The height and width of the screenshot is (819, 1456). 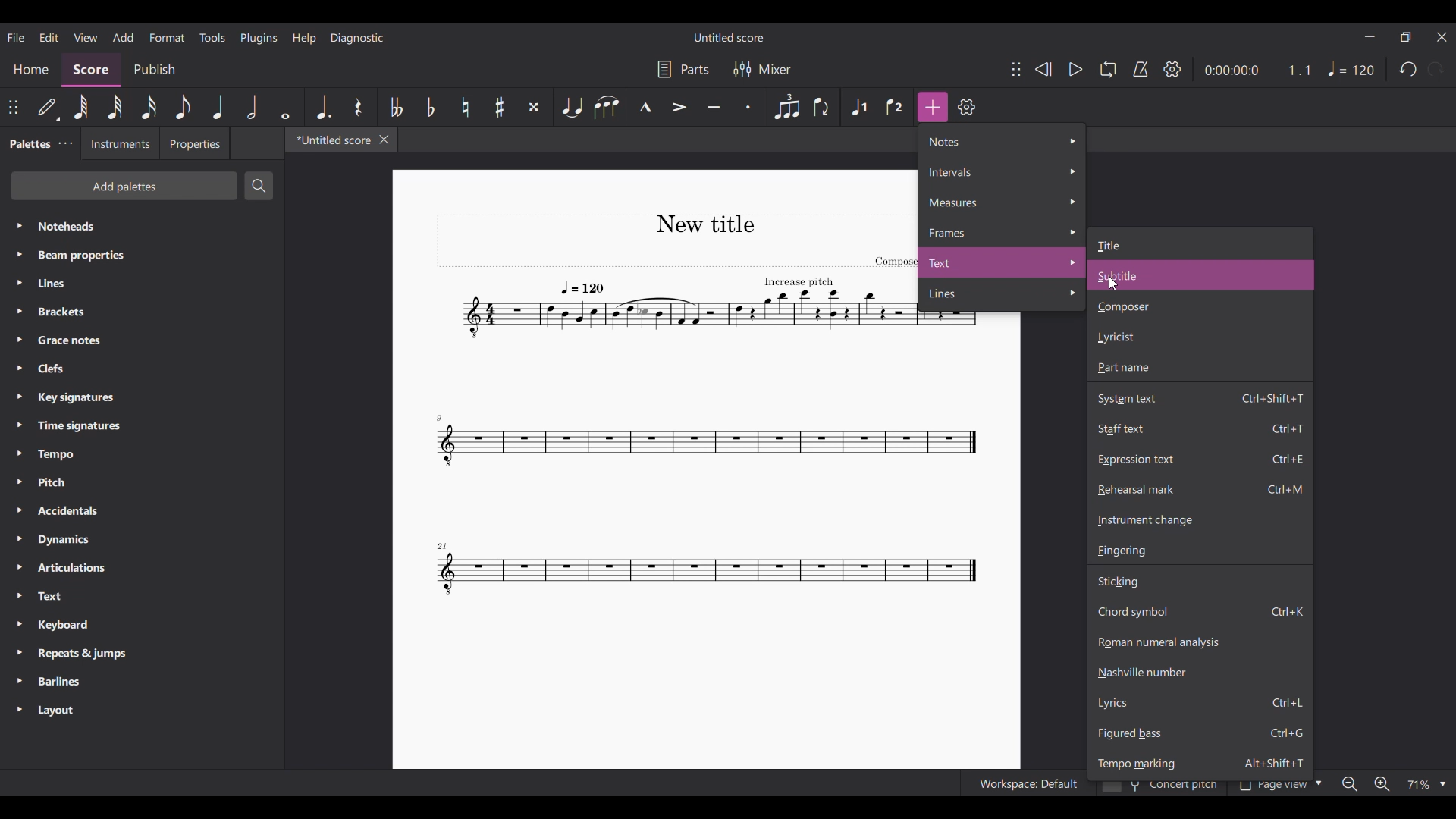 What do you see at coordinates (1200, 612) in the screenshot?
I see `Chord symbol` at bounding box center [1200, 612].